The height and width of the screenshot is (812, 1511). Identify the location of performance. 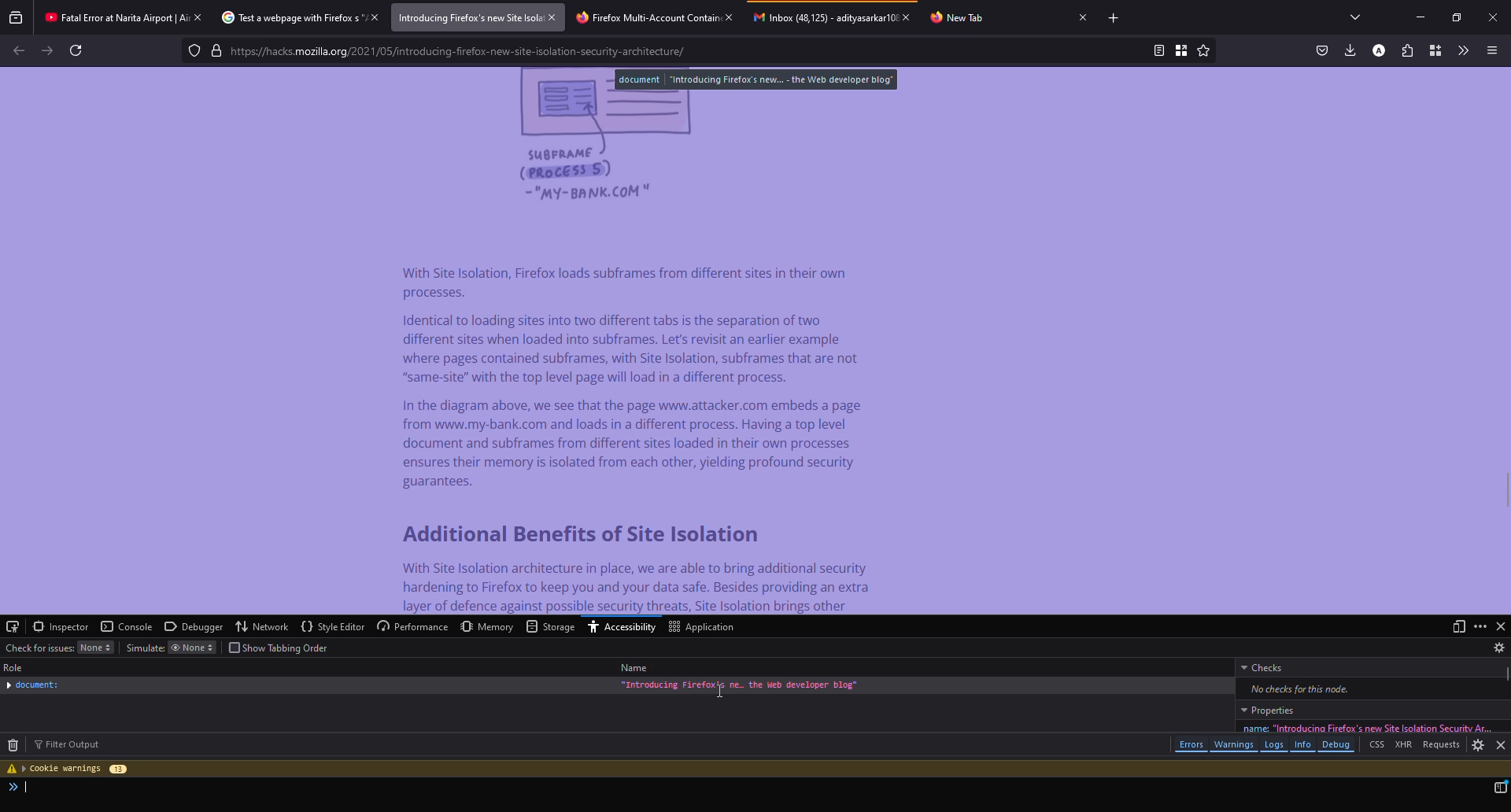
(413, 626).